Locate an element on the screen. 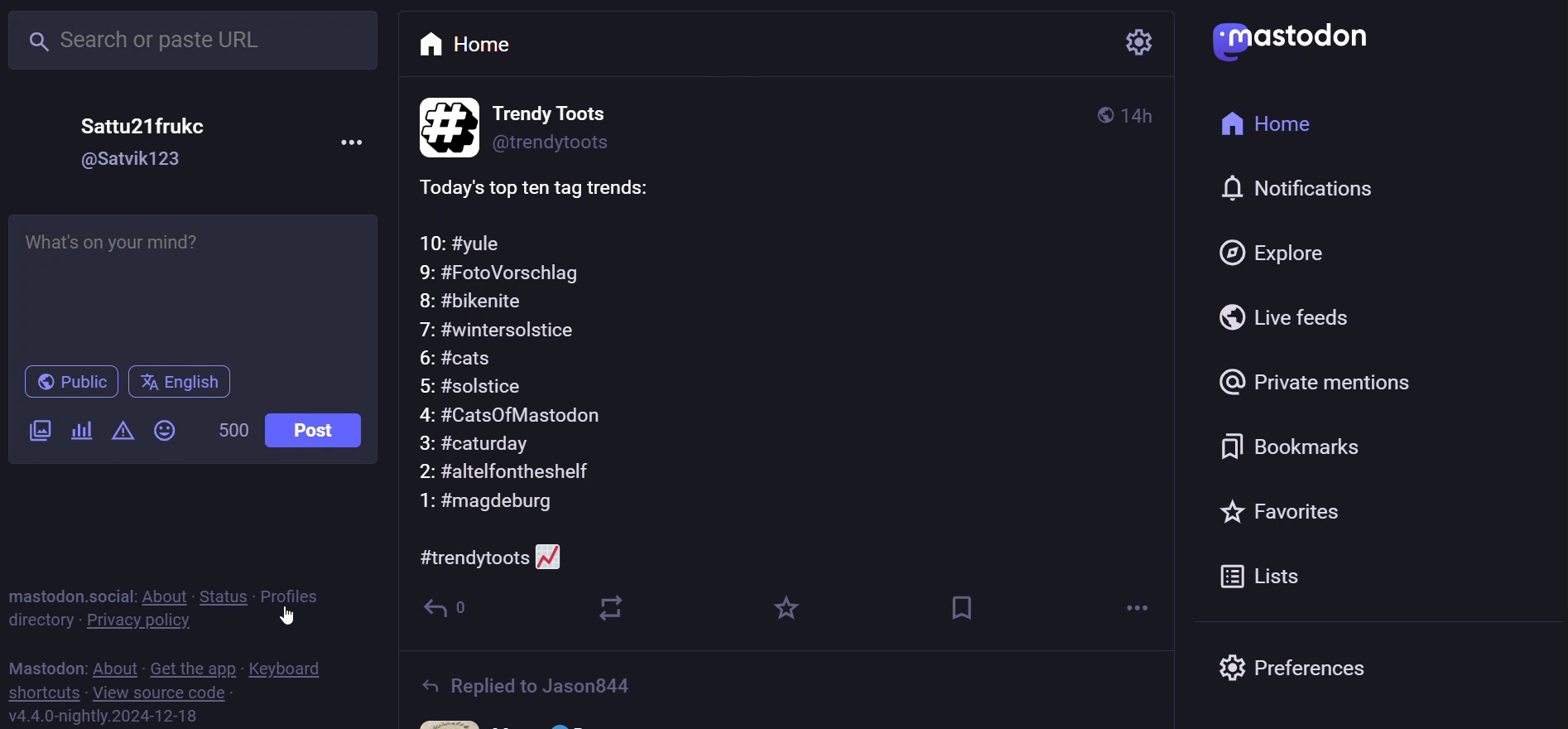  post is located at coordinates (321, 428).